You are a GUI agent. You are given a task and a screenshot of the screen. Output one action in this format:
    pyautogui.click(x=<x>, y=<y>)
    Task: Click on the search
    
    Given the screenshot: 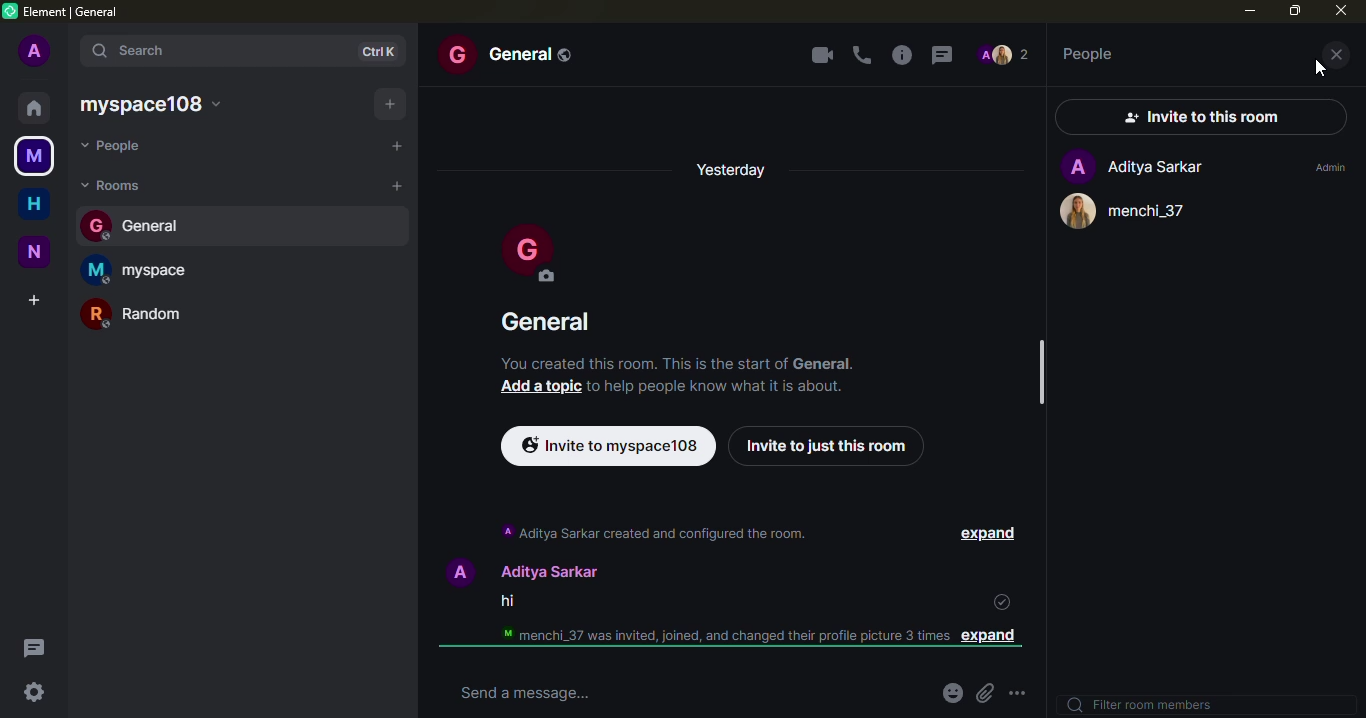 What is the action you would take?
    pyautogui.click(x=153, y=49)
    